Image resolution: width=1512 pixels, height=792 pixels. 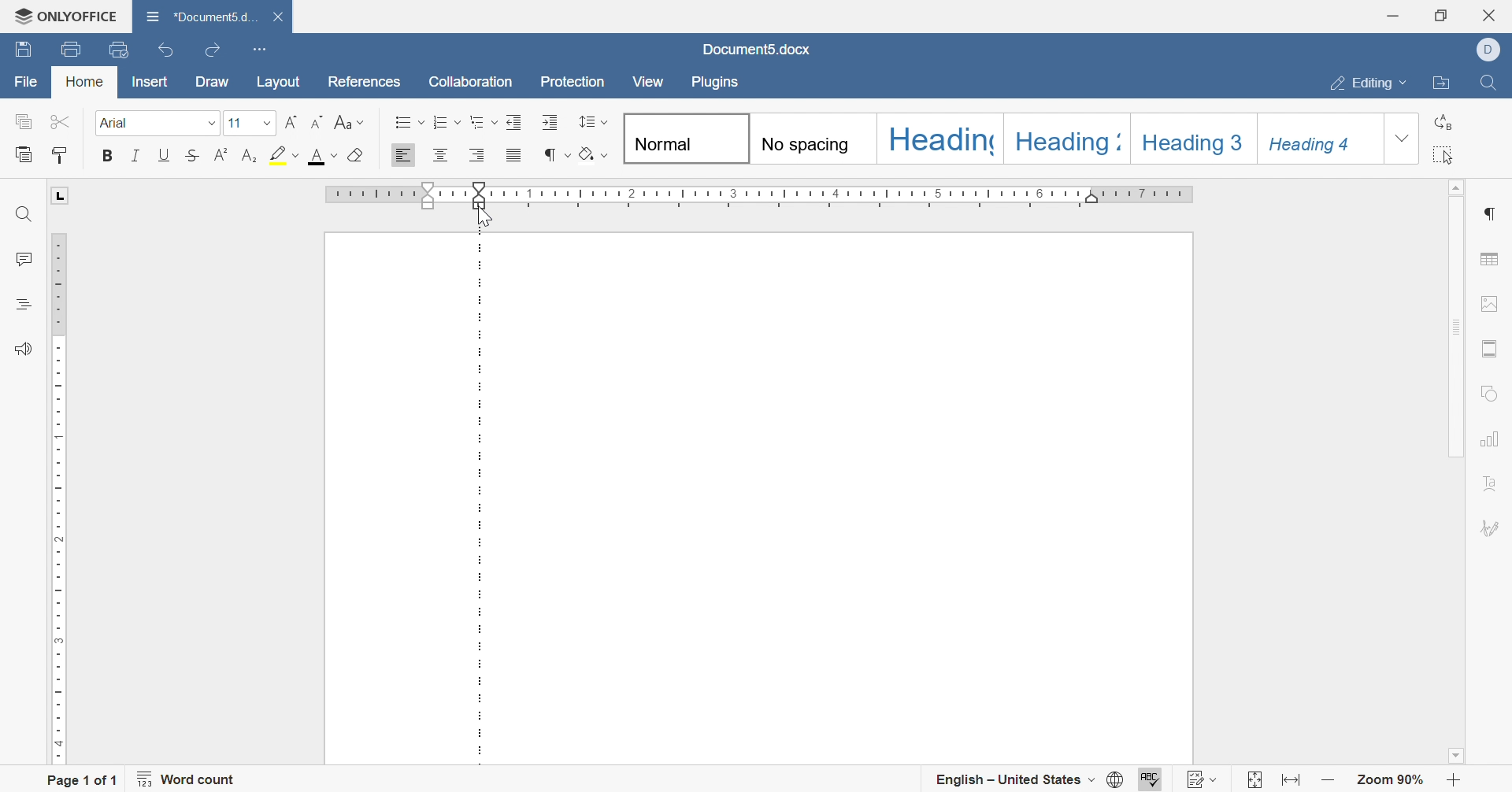 What do you see at coordinates (28, 83) in the screenshot?
I see `file` at bounding box center [28, 83].